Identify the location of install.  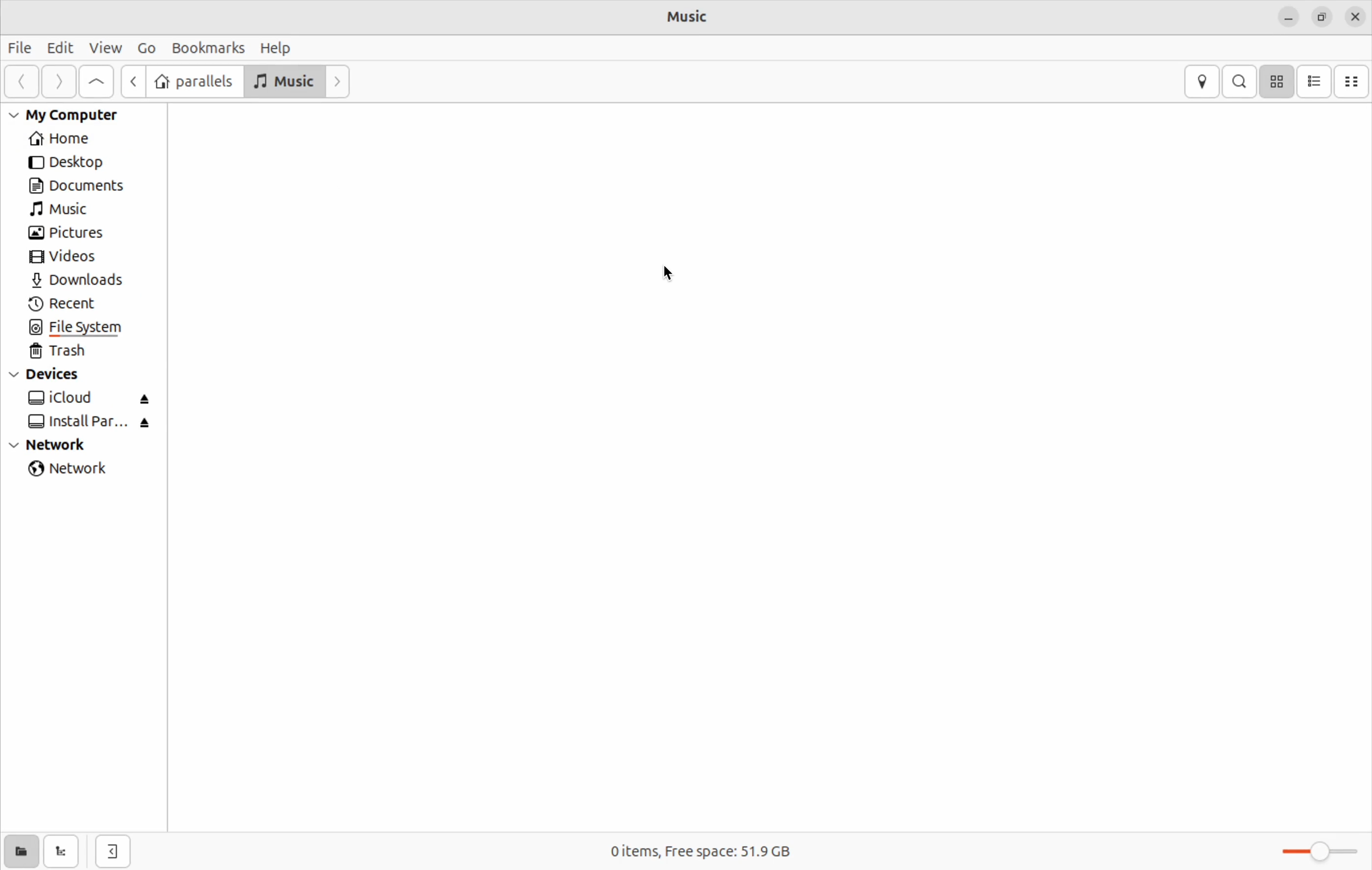
(87, 423).